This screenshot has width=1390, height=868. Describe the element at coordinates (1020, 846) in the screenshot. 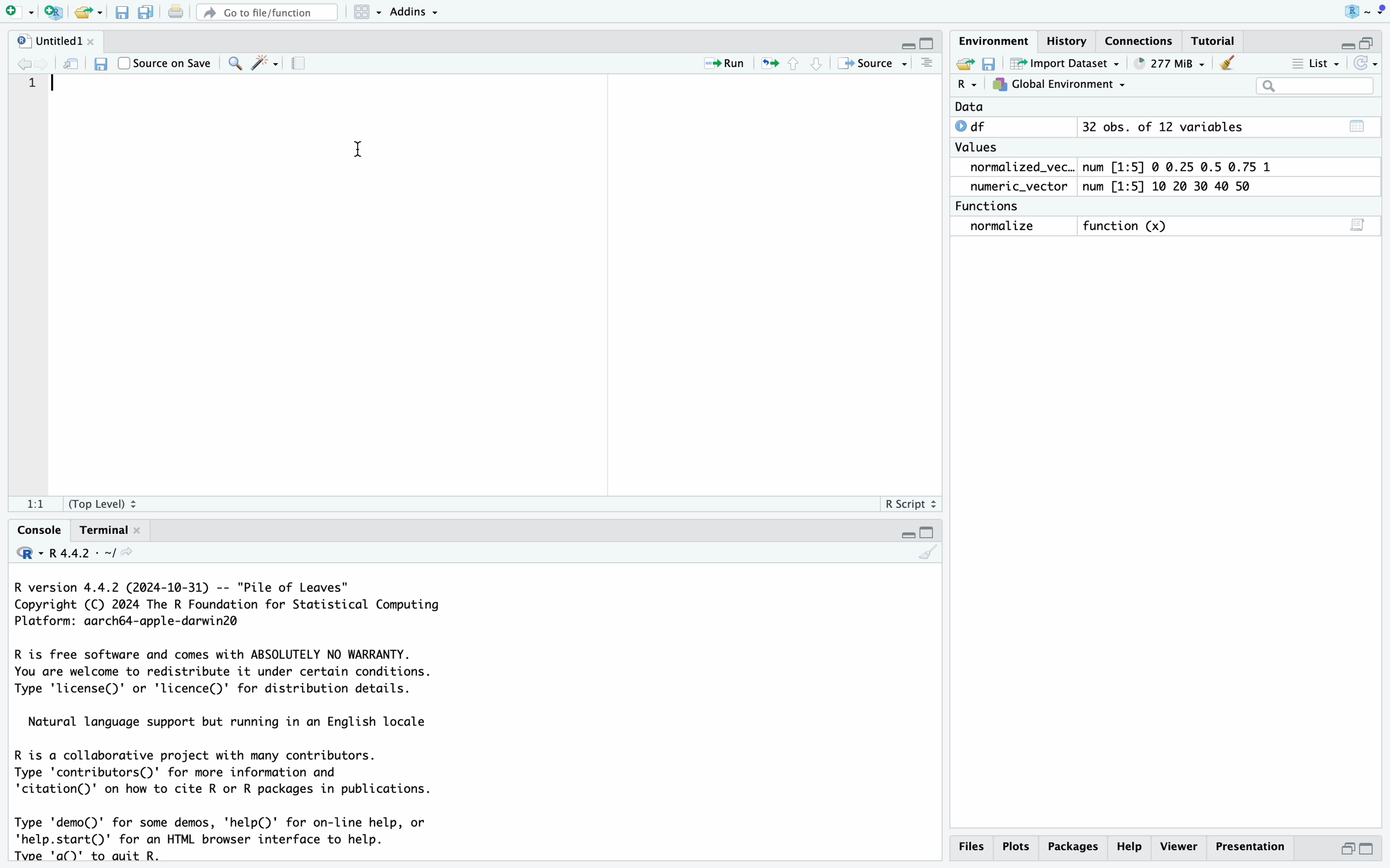

I see `Plots` at that location.